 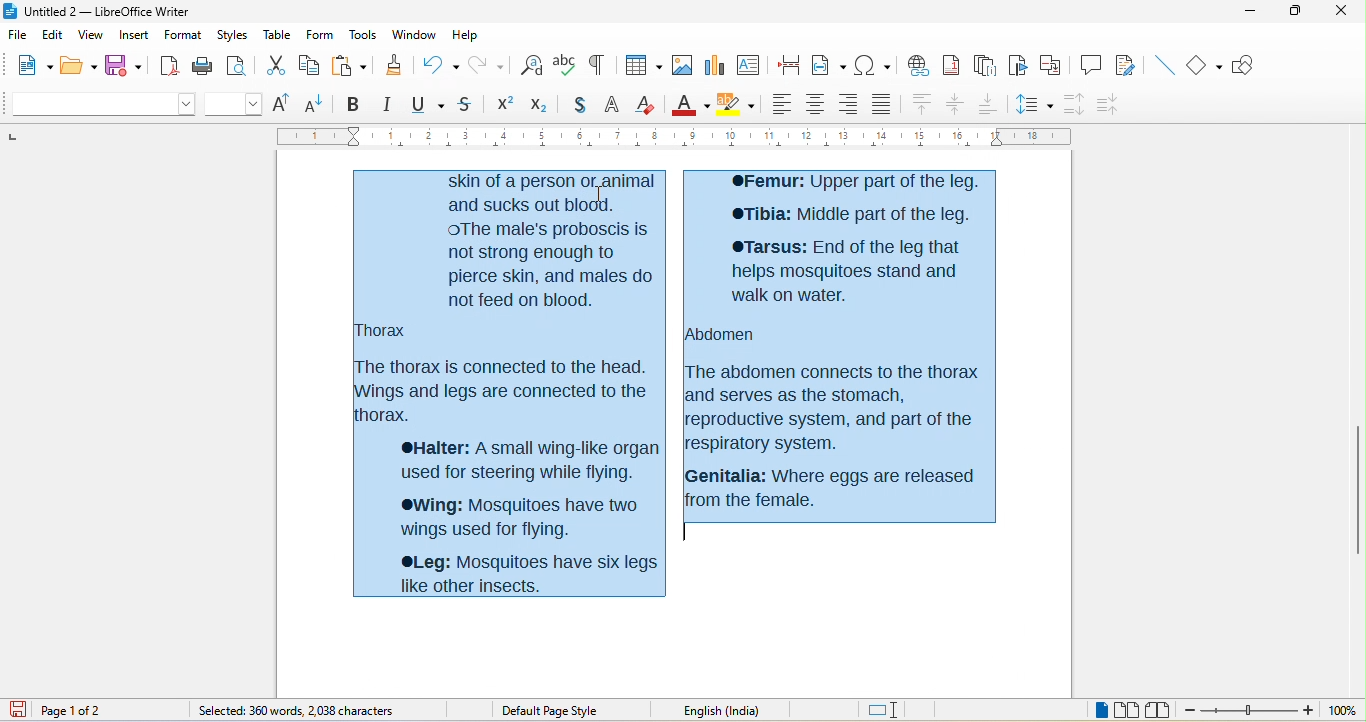 I want to click on subscript, so click(x=538, y=105).